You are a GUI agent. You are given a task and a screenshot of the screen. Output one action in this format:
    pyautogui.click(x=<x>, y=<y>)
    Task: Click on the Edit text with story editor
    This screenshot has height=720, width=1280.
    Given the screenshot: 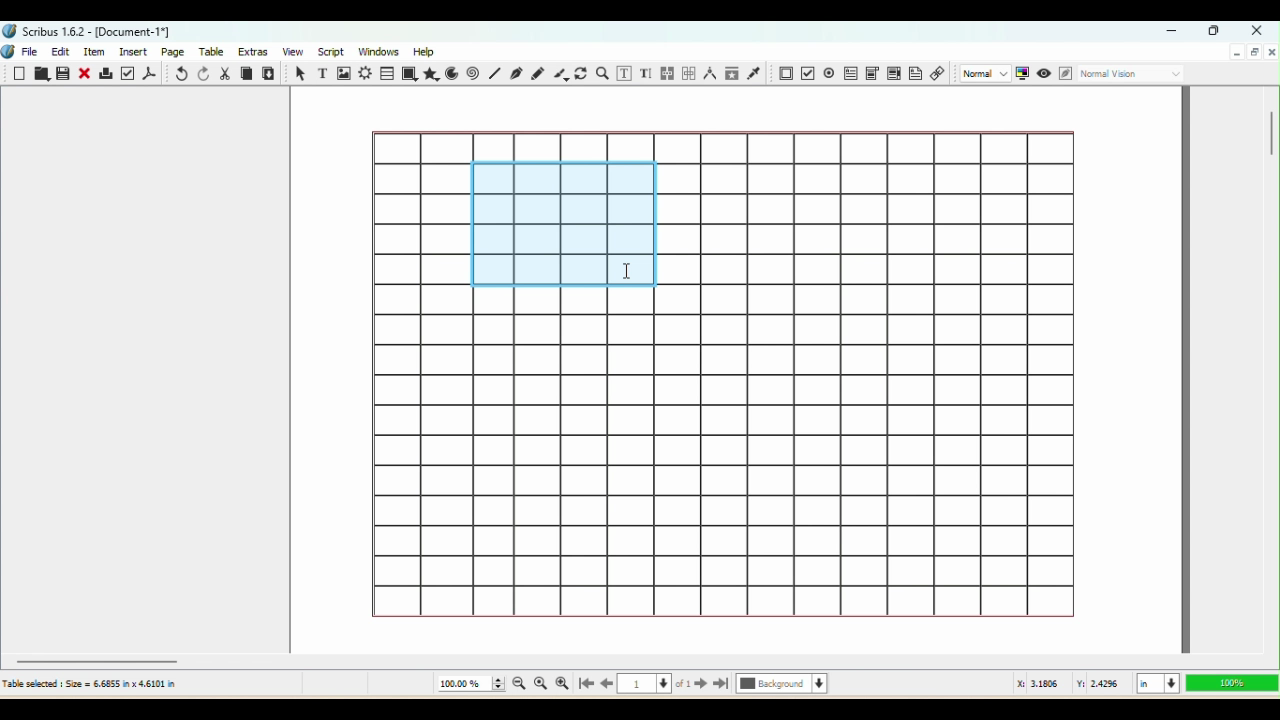 What is the action you would take?
    pyautogui.click(x=647, y=73)
    